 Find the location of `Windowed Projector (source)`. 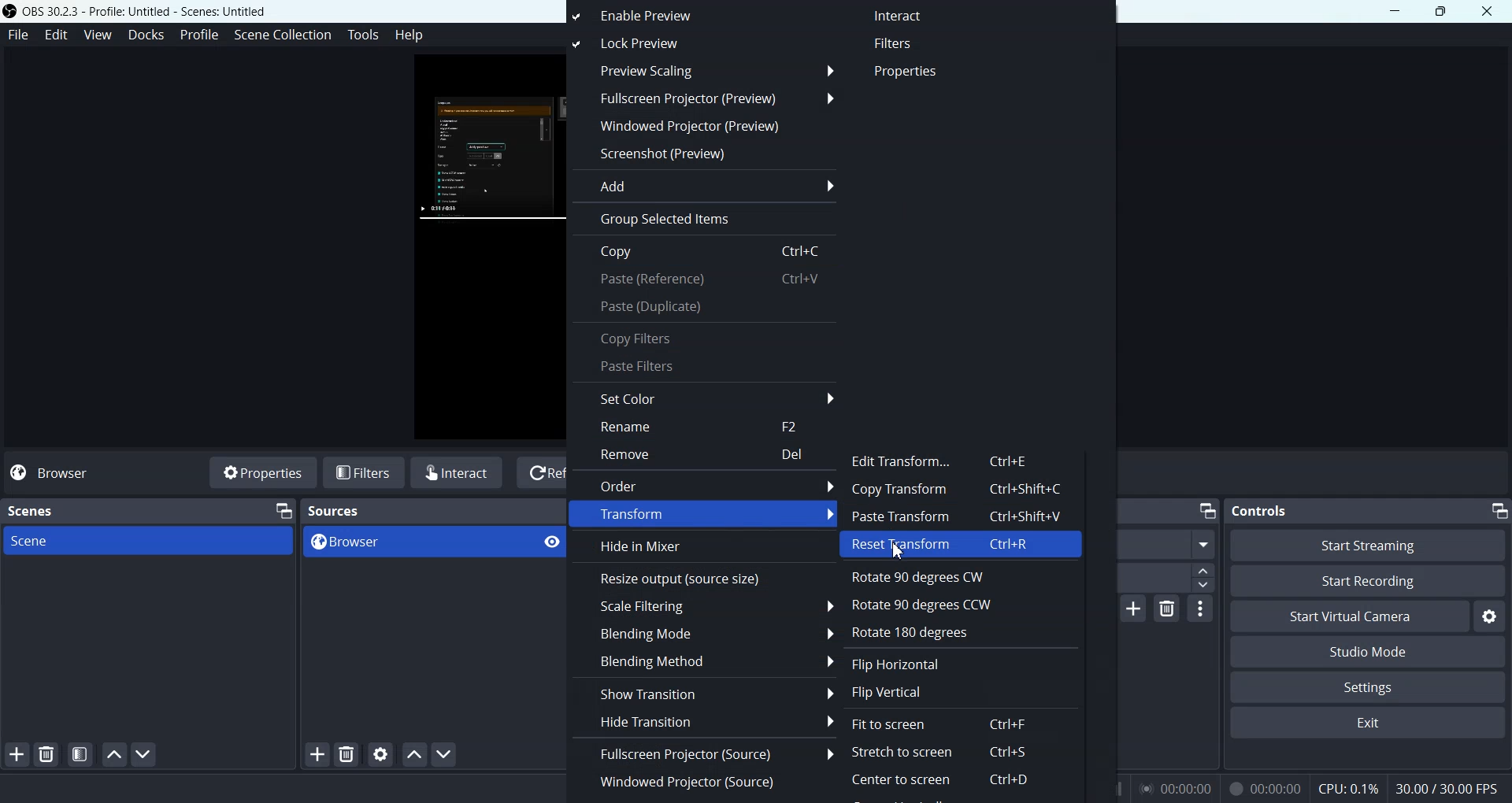

Windowed Projector (source) is located at coordinates (704, 781).